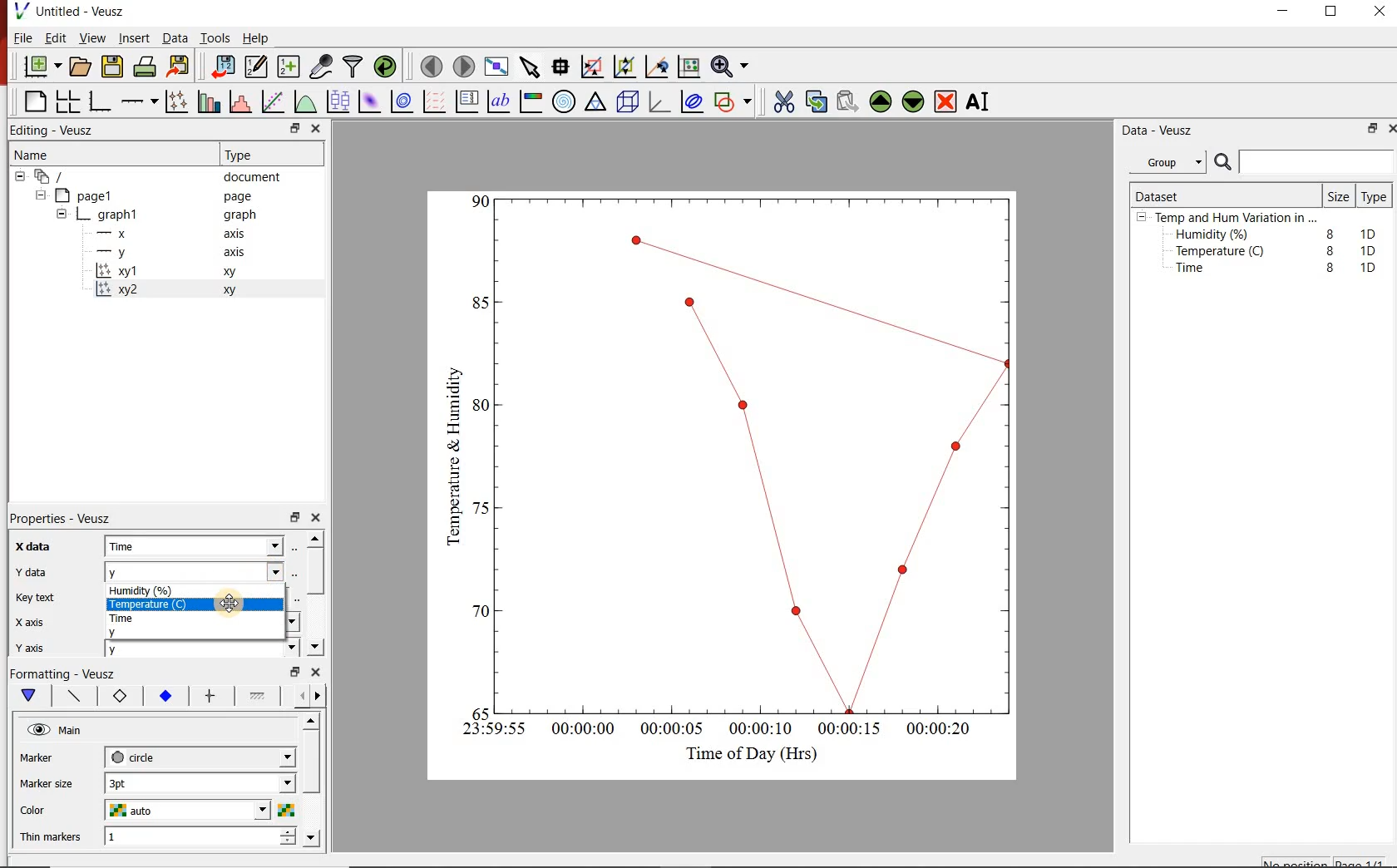 This screenshot has width=1397, height=868. I want to click on Remove the selected widget, so click(947, 101).